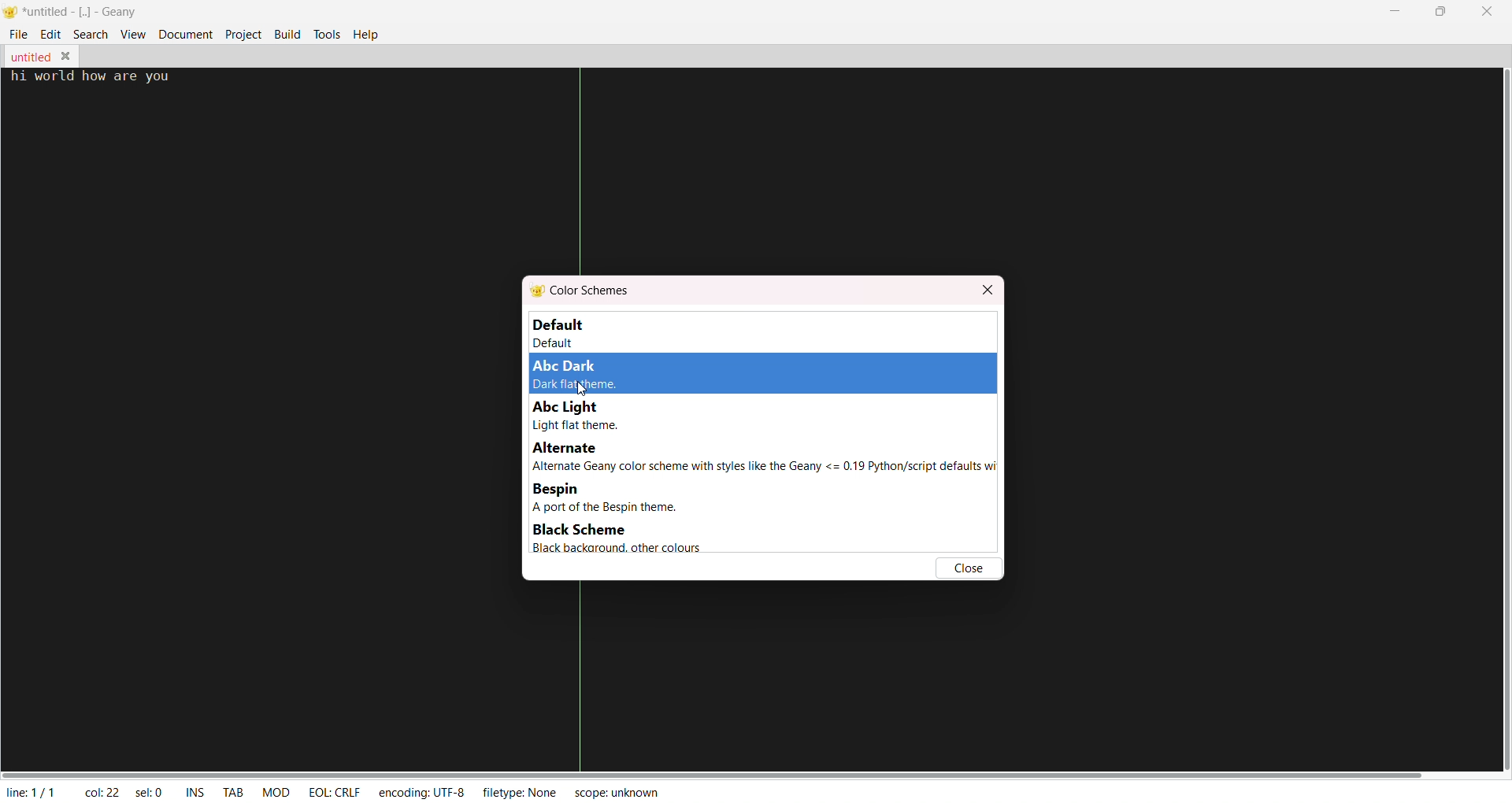 This screenshot has width=1512, height=803. I want to click on bespin, so click(558, 490).